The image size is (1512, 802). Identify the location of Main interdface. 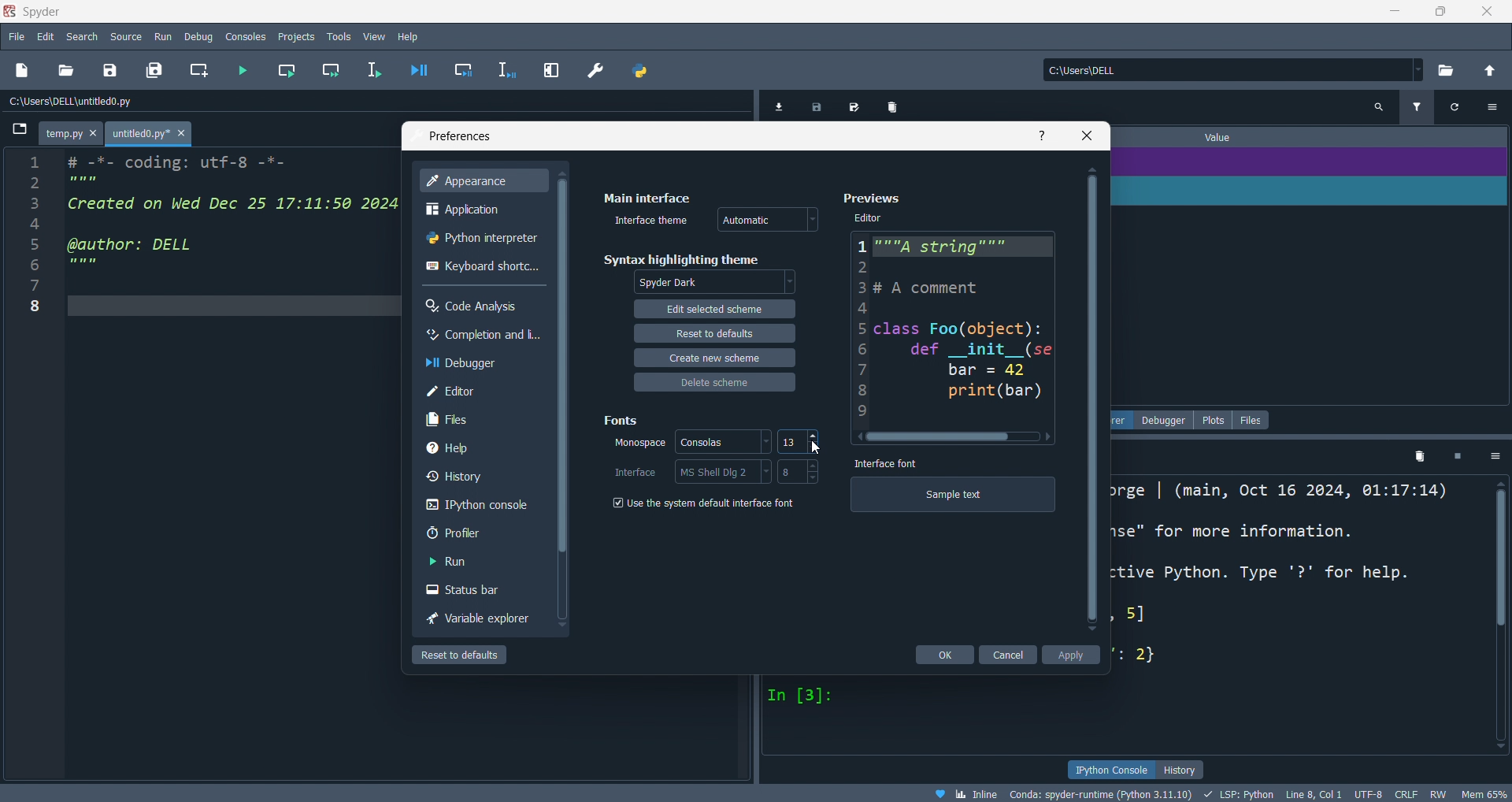
(663, 191).